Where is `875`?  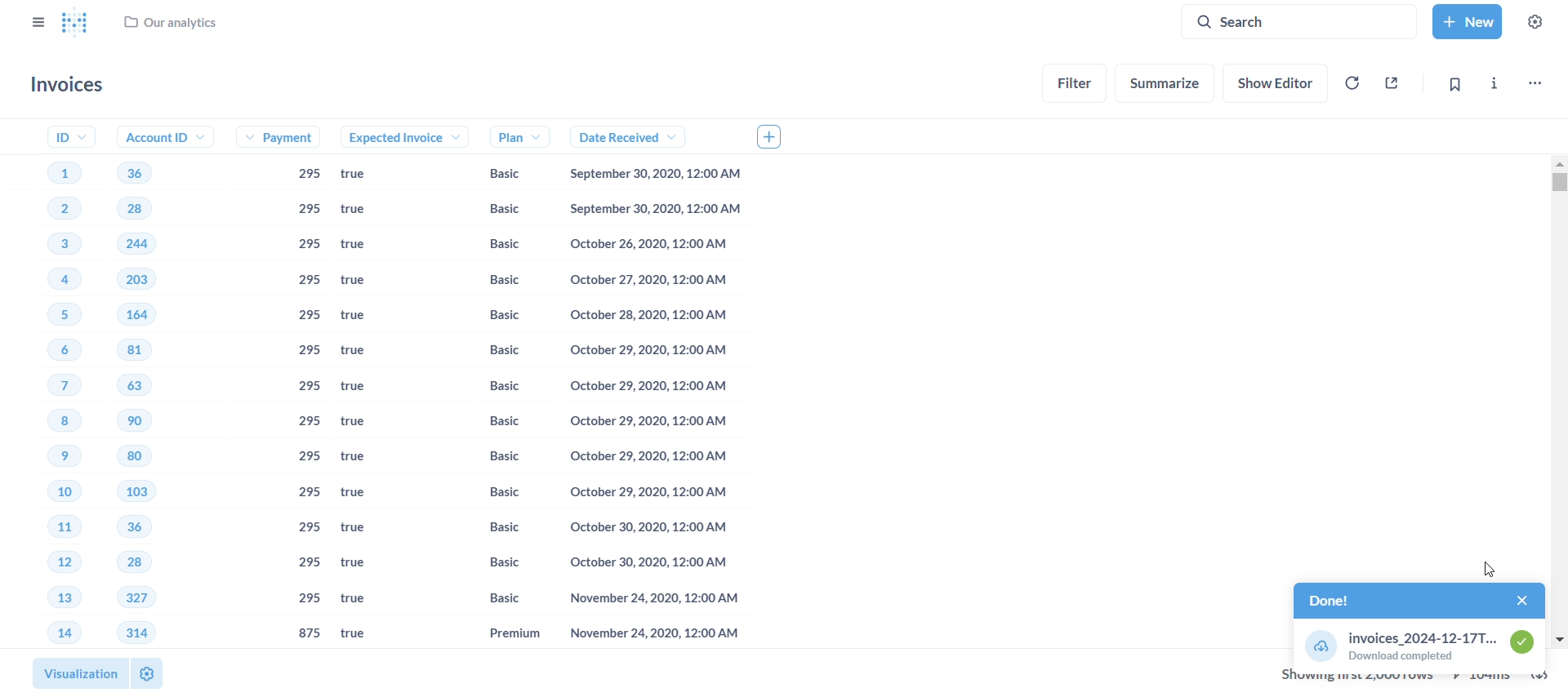
875 is located at coordinates (310, 633).